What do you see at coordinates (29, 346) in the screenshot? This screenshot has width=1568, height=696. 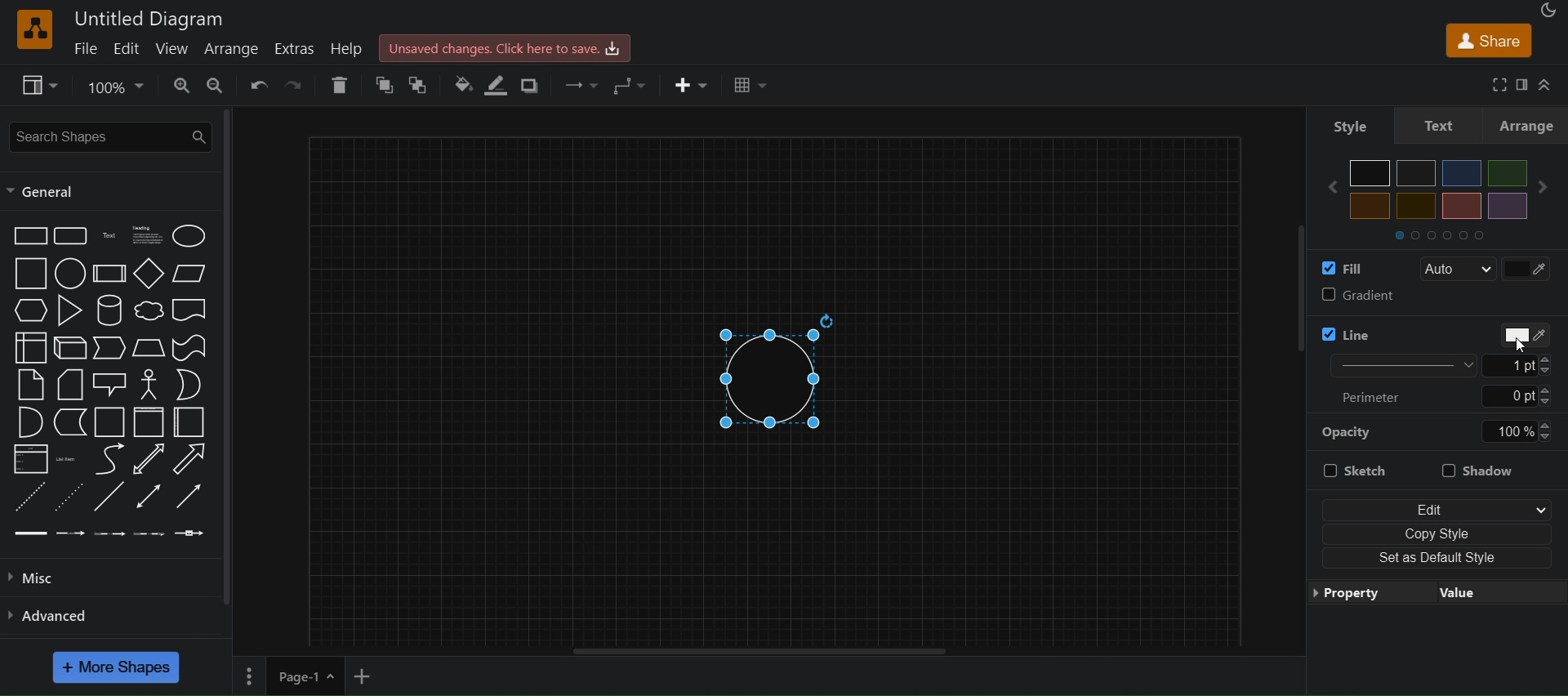 I see `internal storage` at bounding box center [29, 346].